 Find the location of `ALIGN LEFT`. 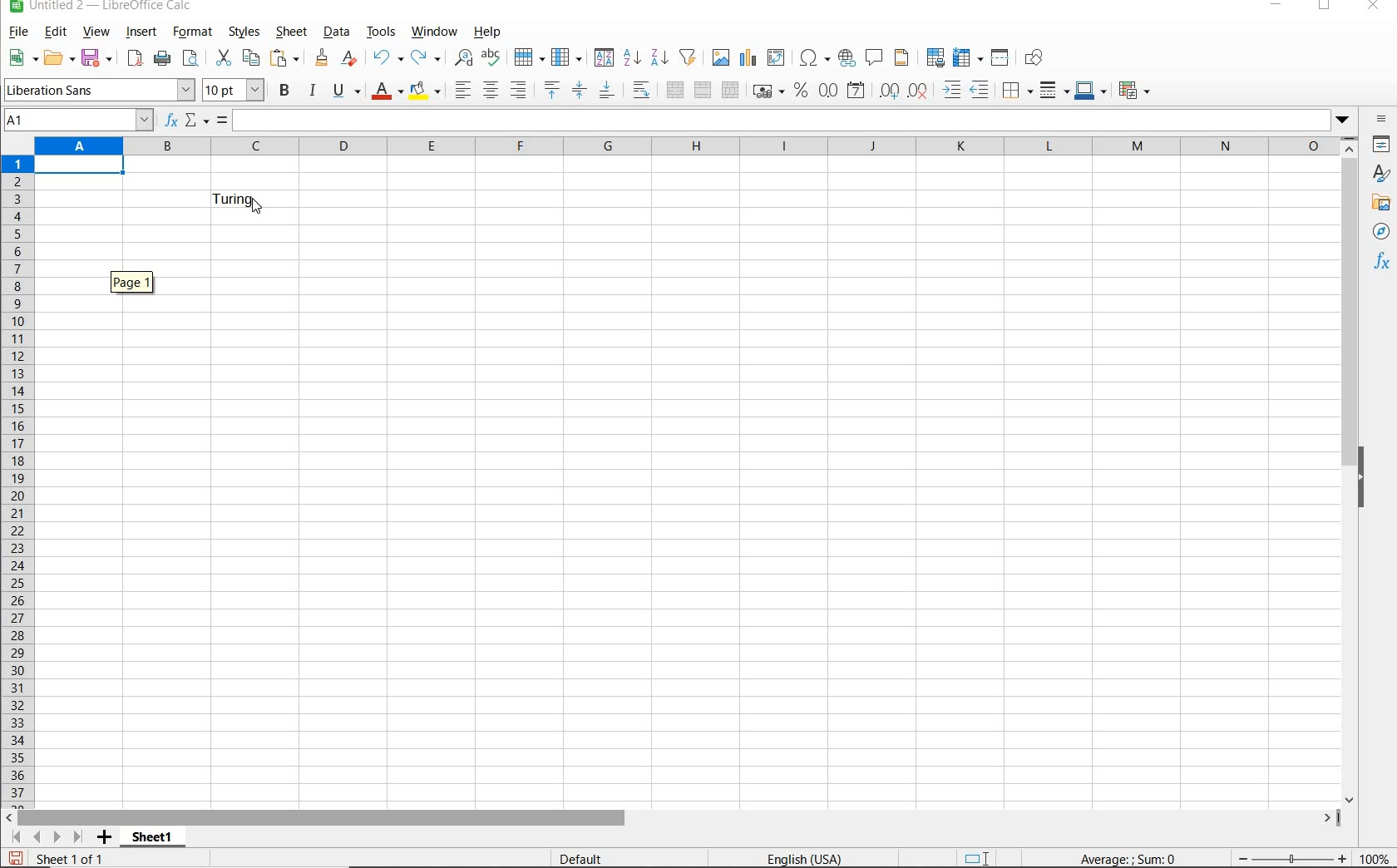

ALIGN LEFT is located at coordinates (462, 91).